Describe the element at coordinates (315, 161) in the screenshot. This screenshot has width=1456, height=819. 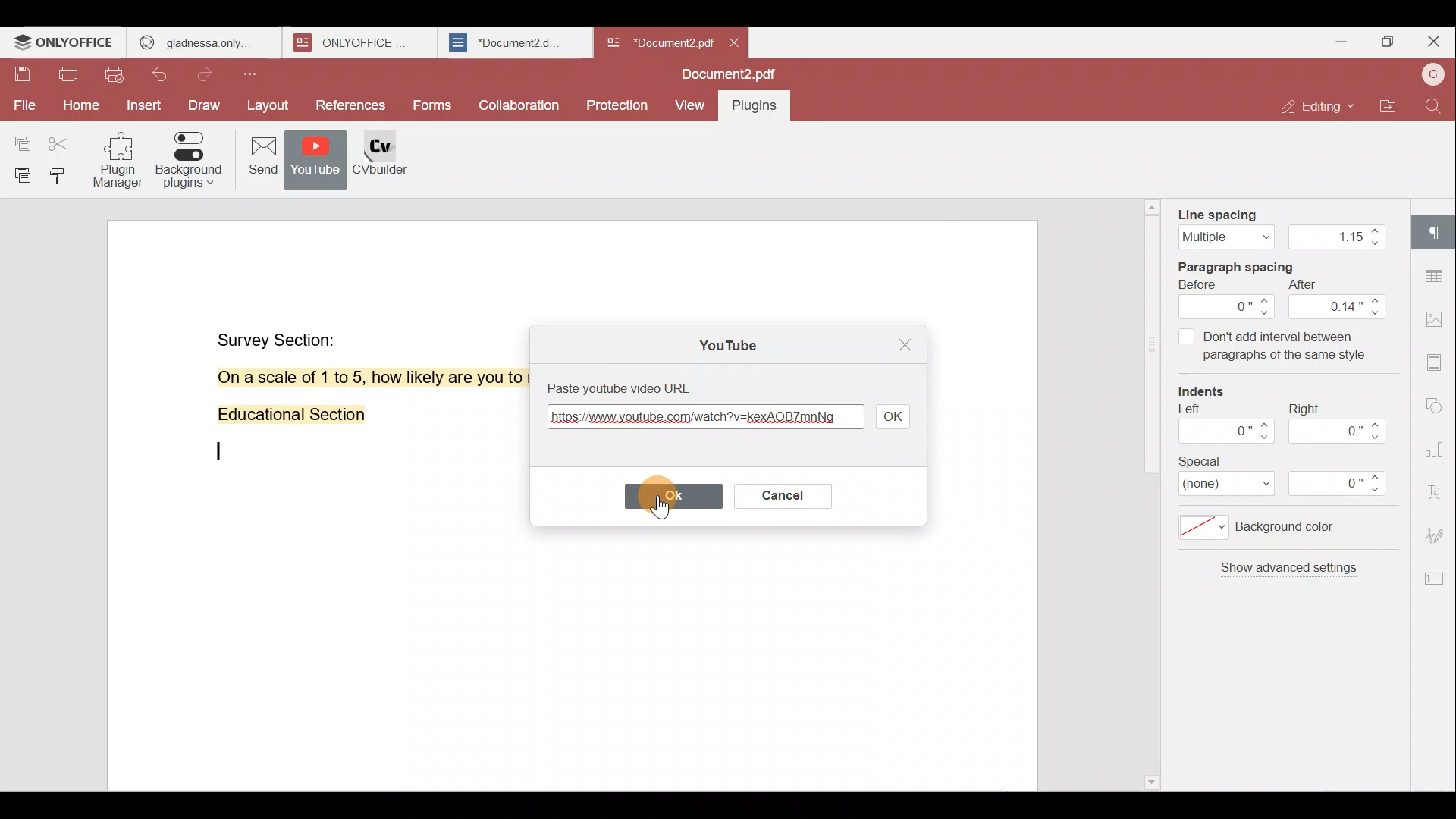
I see `YouTube` at that location.